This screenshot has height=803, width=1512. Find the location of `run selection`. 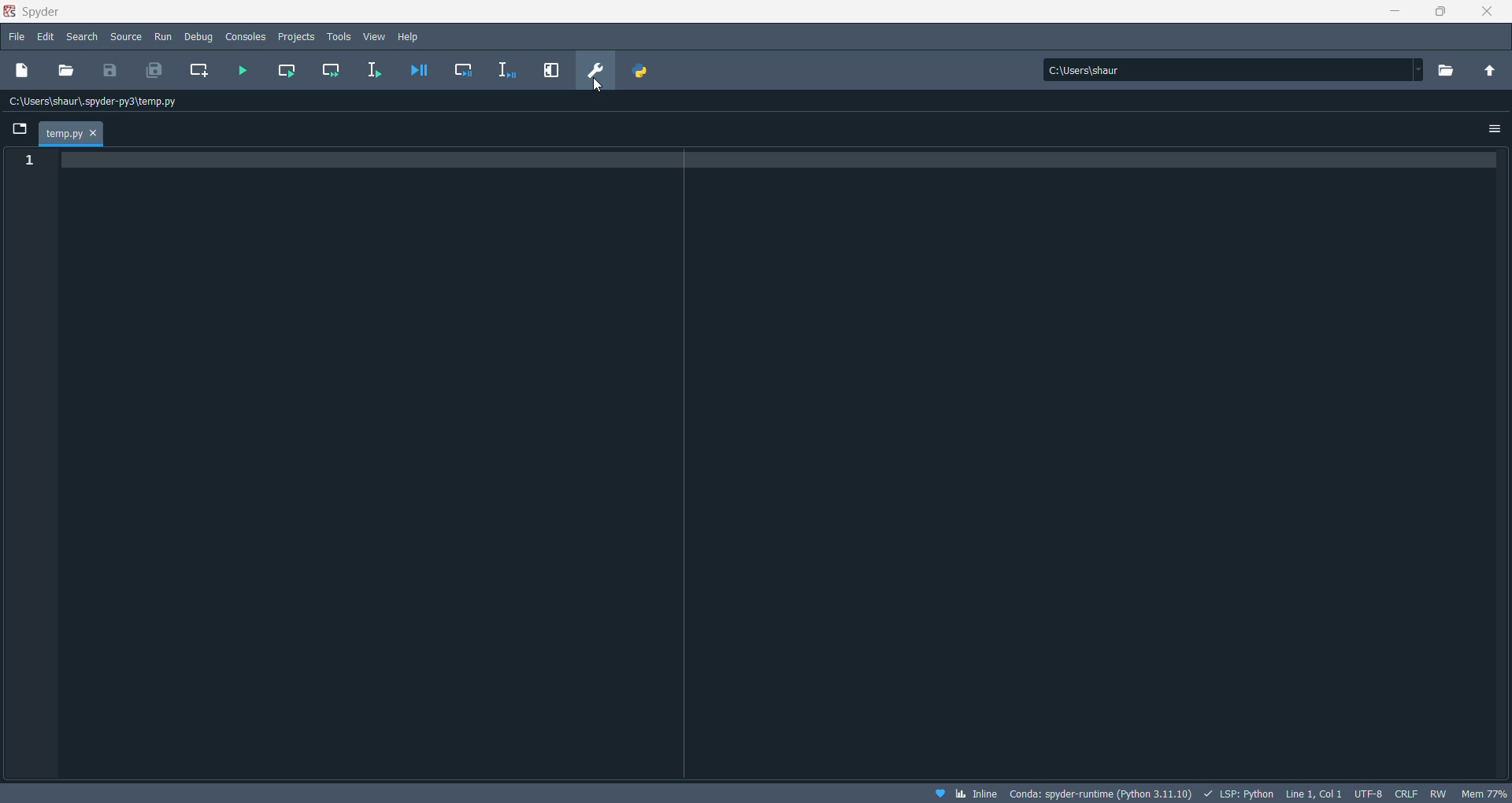

run selection is located at coordinates (369, 72).